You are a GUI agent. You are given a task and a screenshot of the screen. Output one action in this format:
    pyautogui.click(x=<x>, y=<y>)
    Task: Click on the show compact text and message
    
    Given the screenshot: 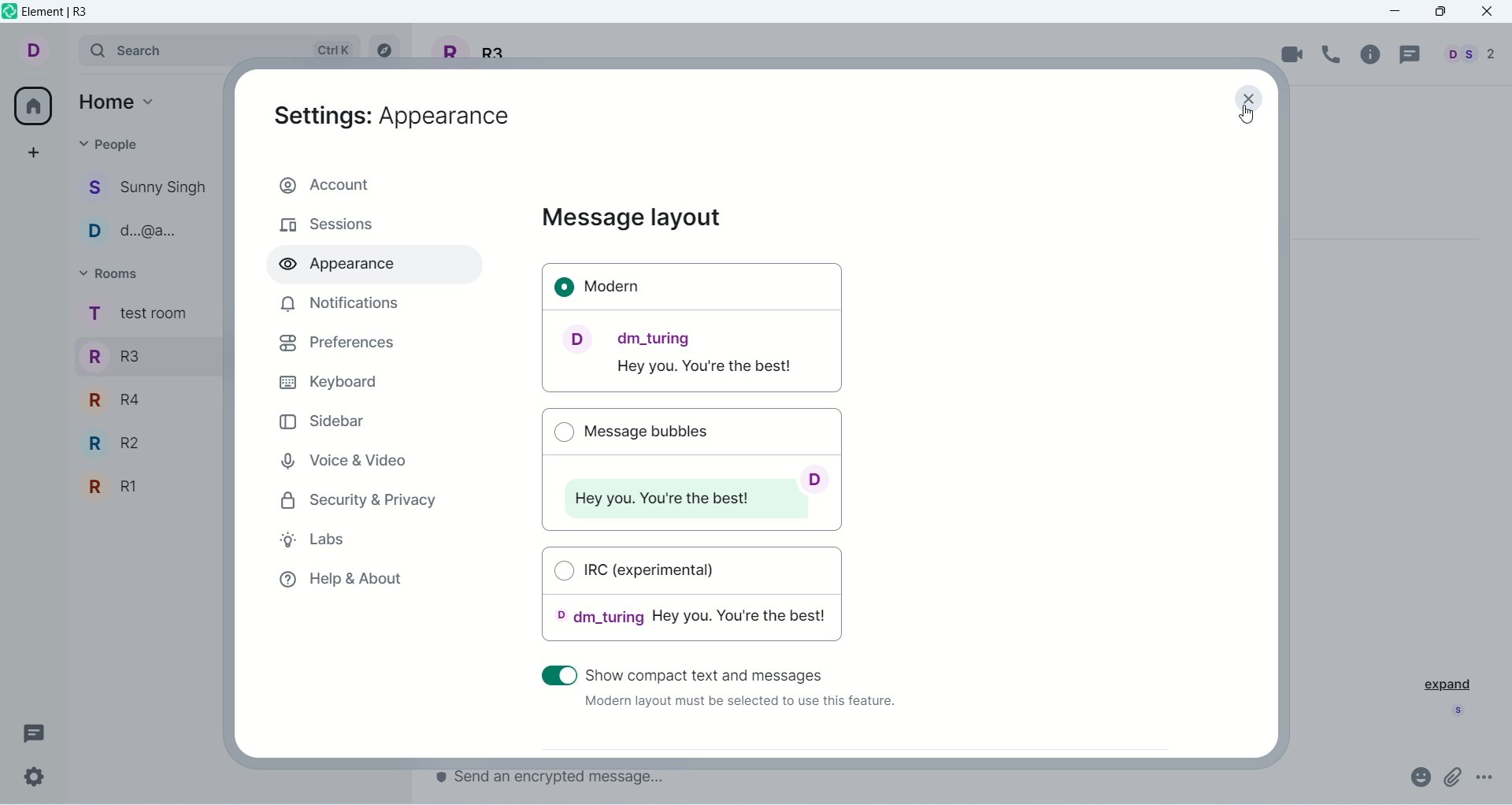 What is the action you would take?
    pyautogui.click(x=741, y=673)
    